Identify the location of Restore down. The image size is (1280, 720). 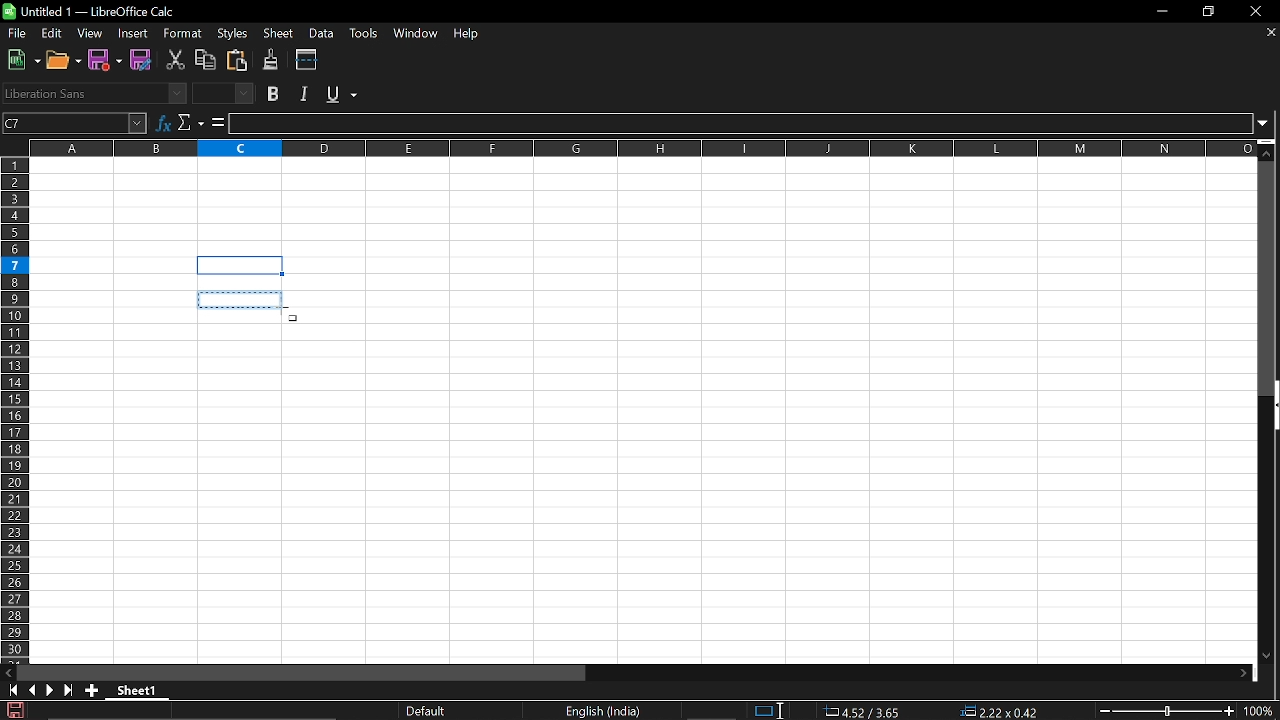
(1208, 13).